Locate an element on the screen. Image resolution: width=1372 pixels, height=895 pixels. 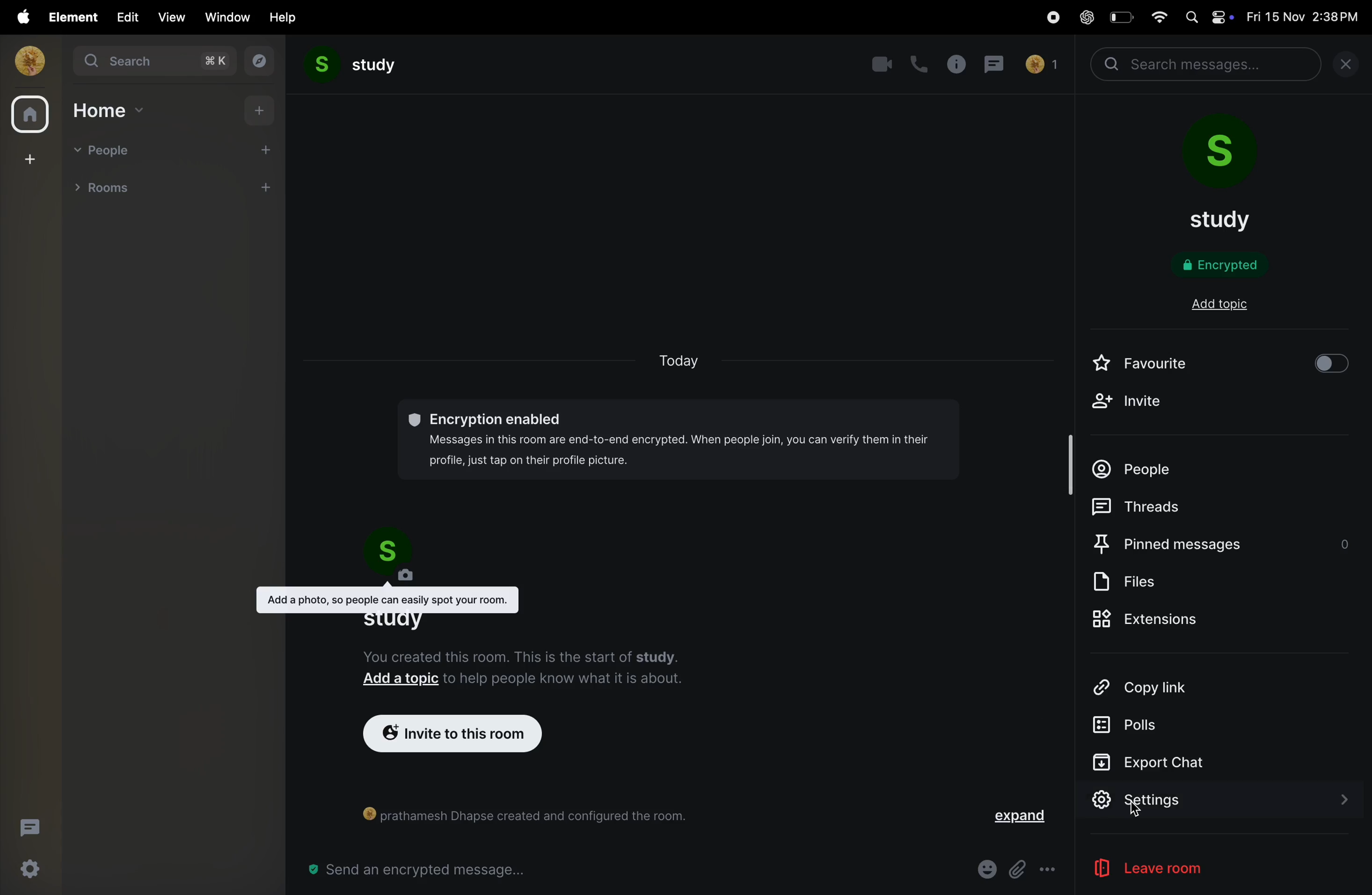
emoji is located at coordinates (985, 868).